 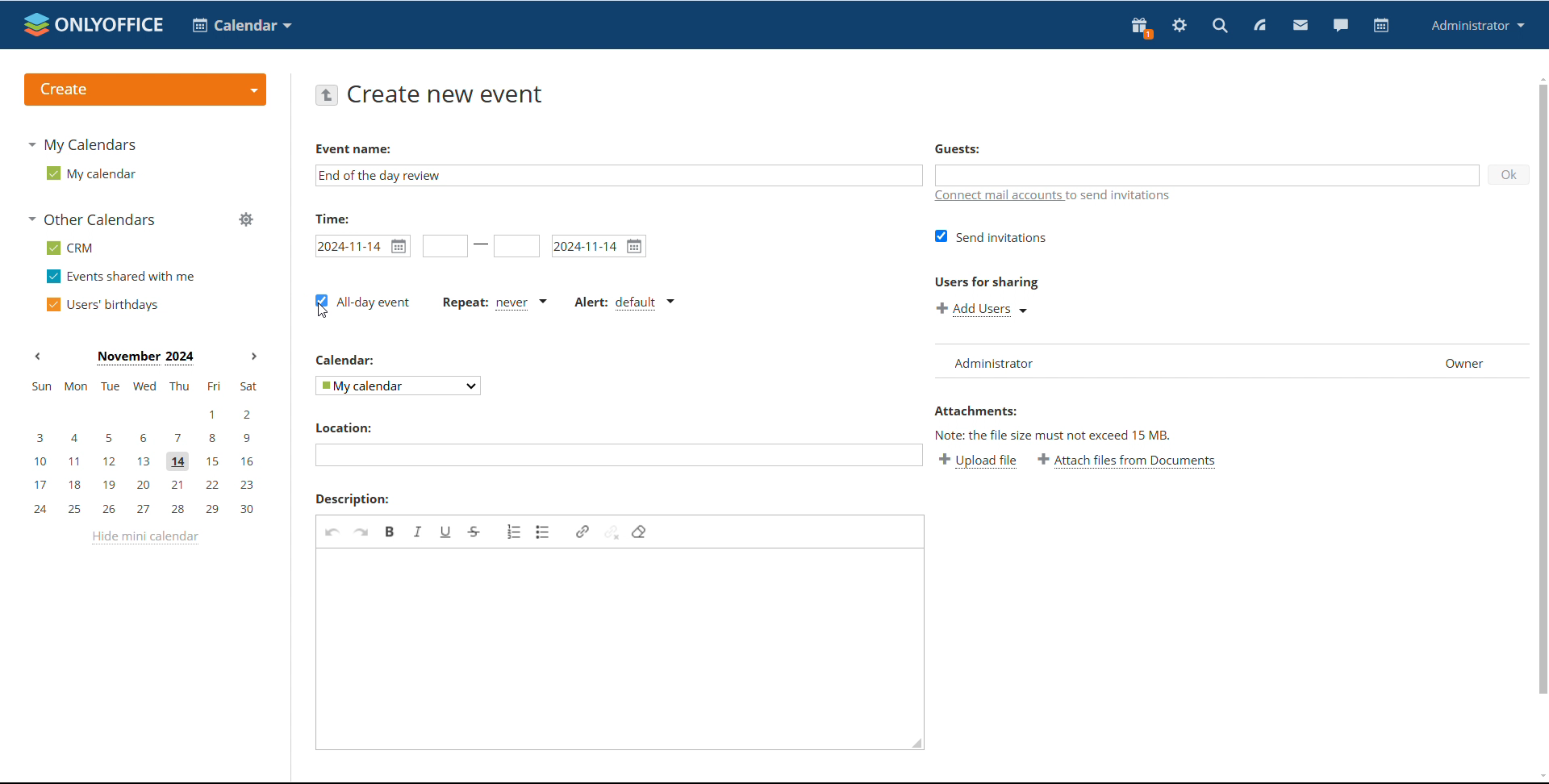 What do you see at coordinates (1301, 27) in the screenshot?
I see `mail` at bounding box center [1301, 27].